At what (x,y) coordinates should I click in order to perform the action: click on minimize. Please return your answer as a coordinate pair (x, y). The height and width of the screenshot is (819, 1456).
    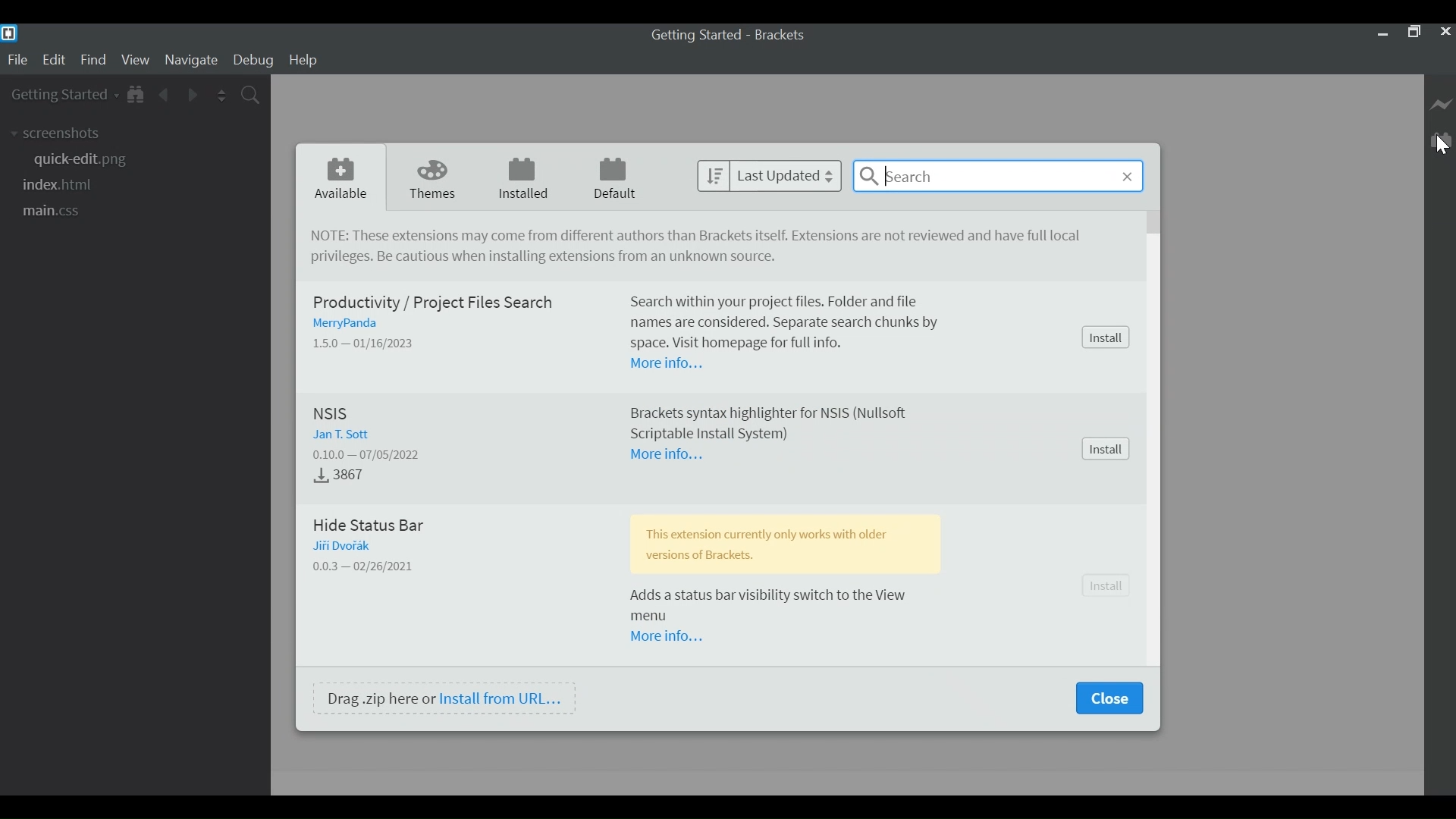
    Looking at the image, I should click on (1382, 33).